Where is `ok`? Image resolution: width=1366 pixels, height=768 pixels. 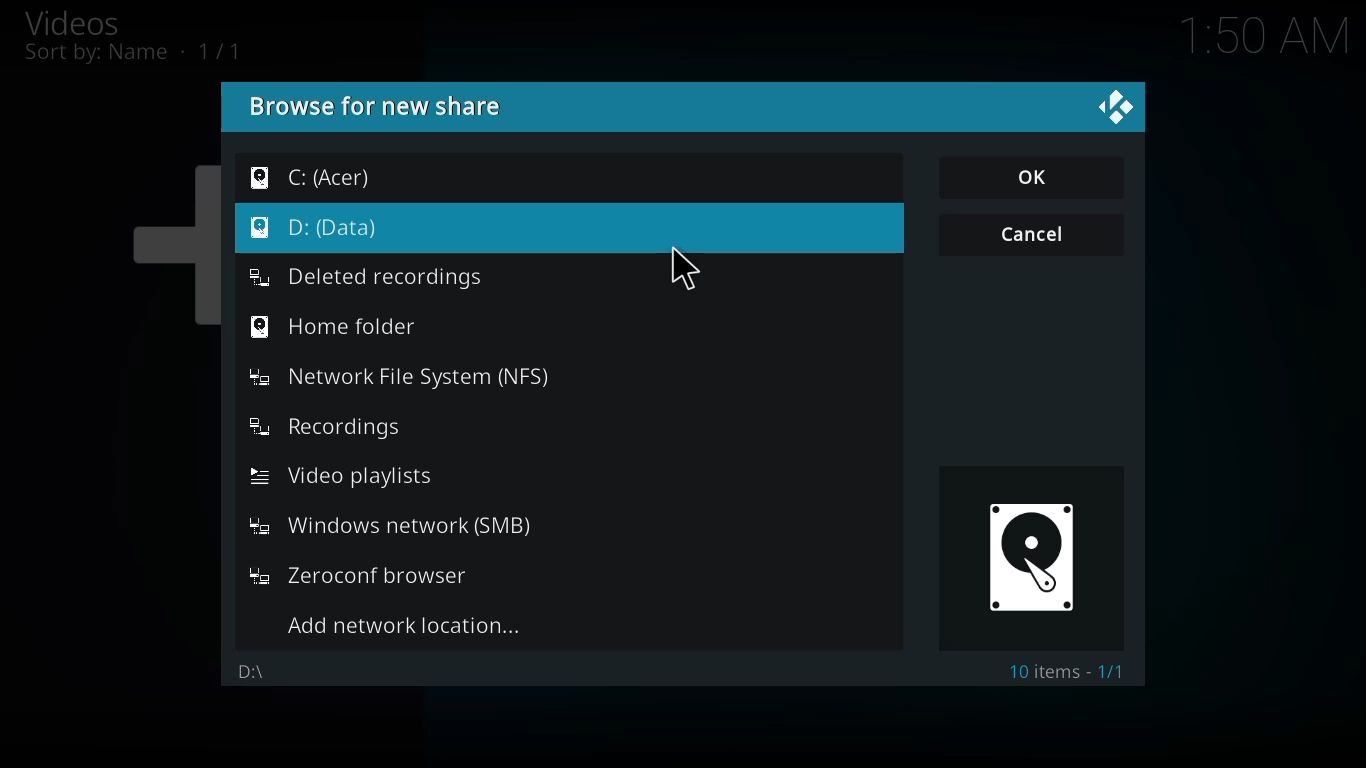 ok is located at coordinates (1026, 173).